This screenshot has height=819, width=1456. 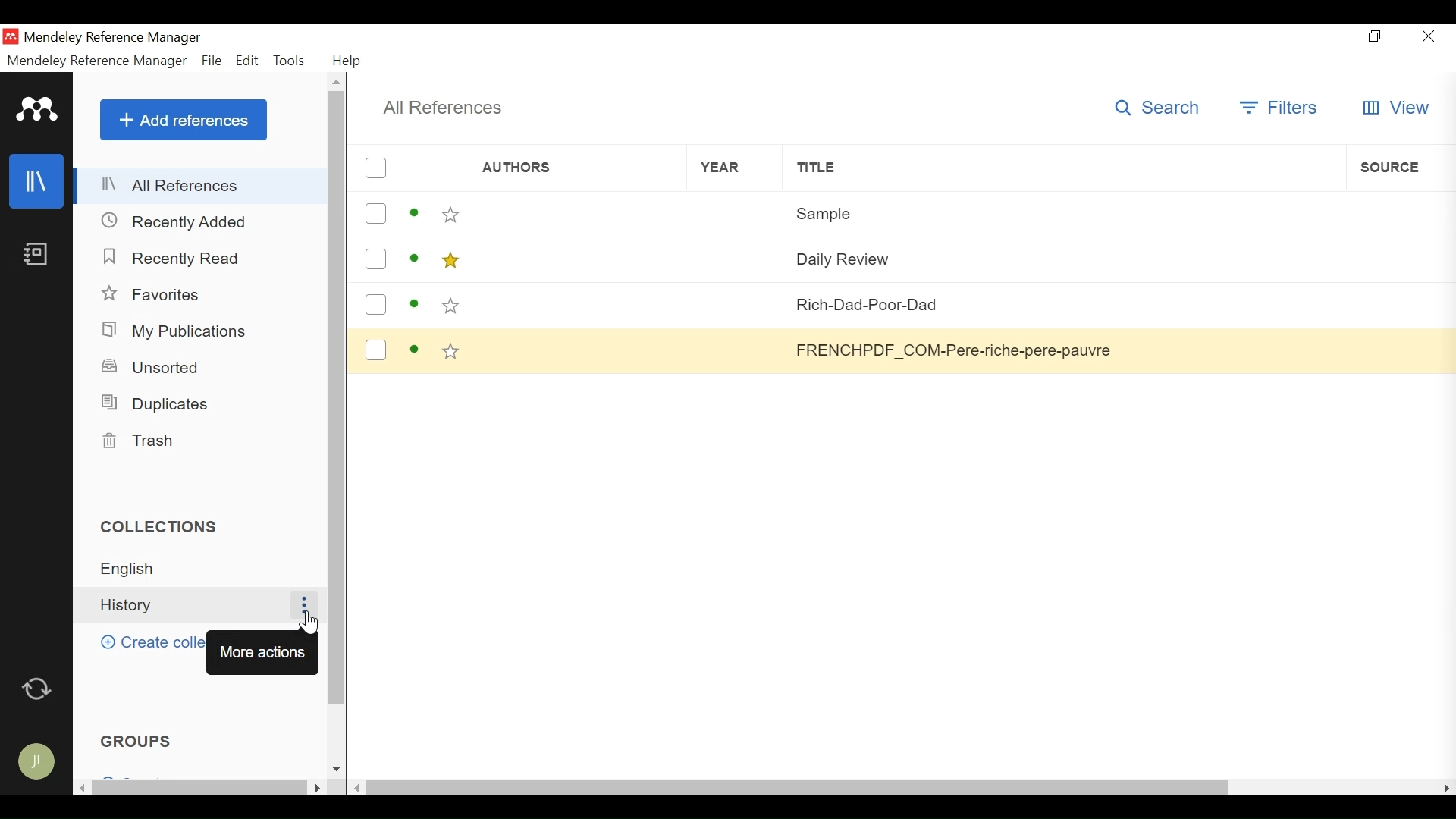 What do you see at coordinates (154, 403) in the screenshot?
I see `Duplicates` at bounding box center [154, 403].